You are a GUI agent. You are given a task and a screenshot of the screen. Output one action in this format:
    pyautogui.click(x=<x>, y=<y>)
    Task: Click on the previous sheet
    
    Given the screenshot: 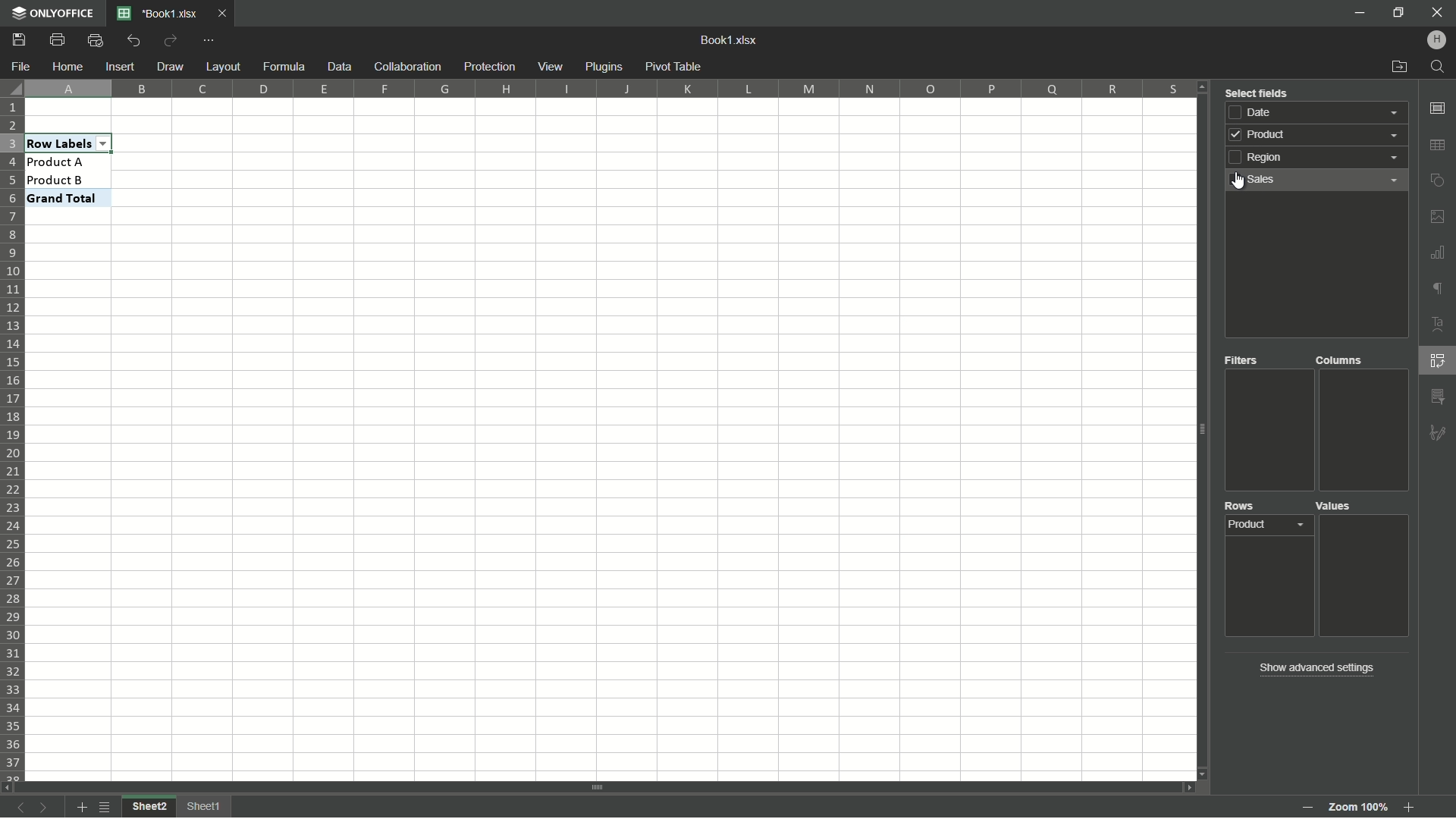 What is the action you would take?
    pyautogui.click(x=19, y=810)
    